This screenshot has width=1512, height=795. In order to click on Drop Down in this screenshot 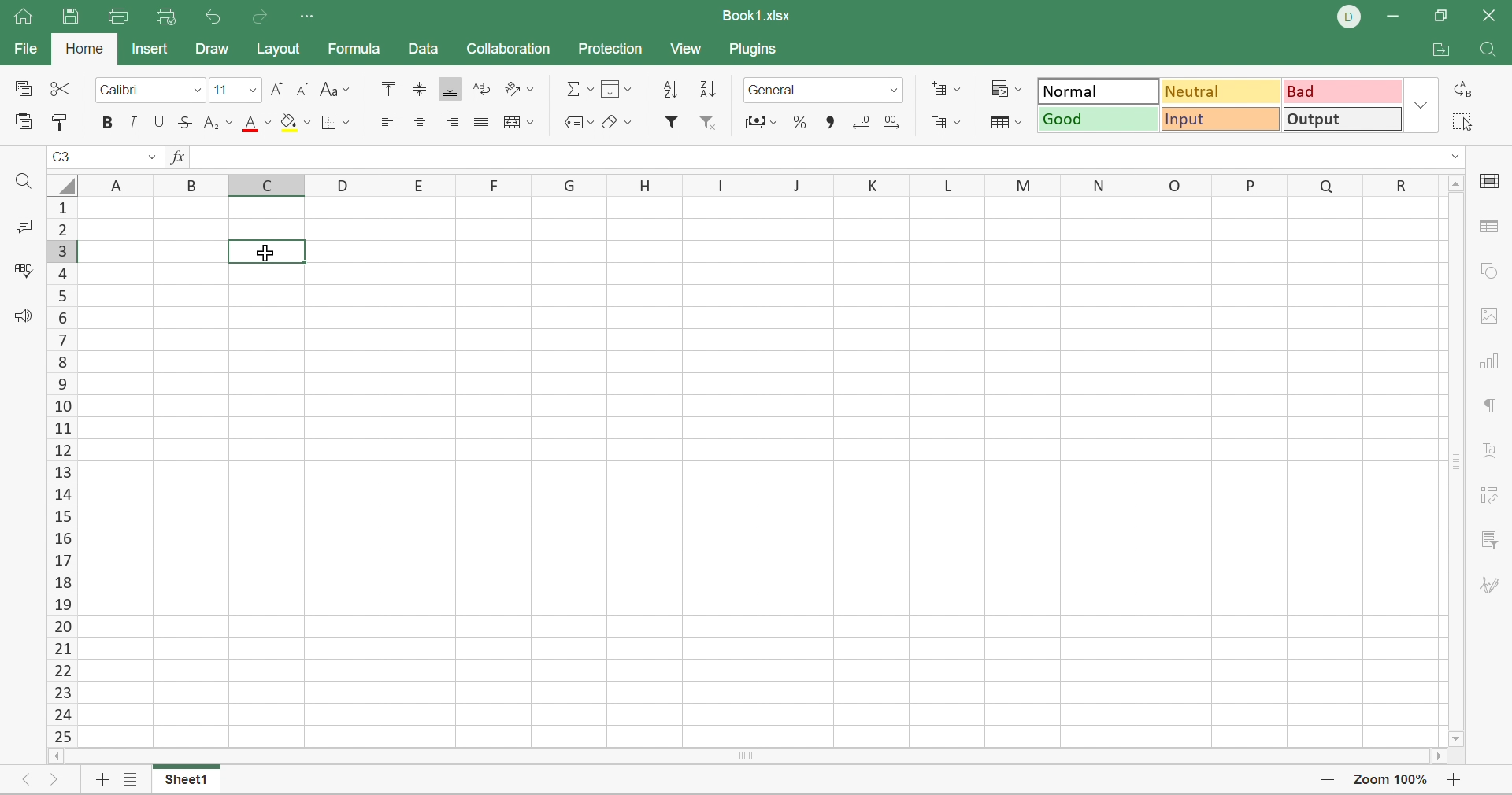, I will do `click(1451, 155)`.